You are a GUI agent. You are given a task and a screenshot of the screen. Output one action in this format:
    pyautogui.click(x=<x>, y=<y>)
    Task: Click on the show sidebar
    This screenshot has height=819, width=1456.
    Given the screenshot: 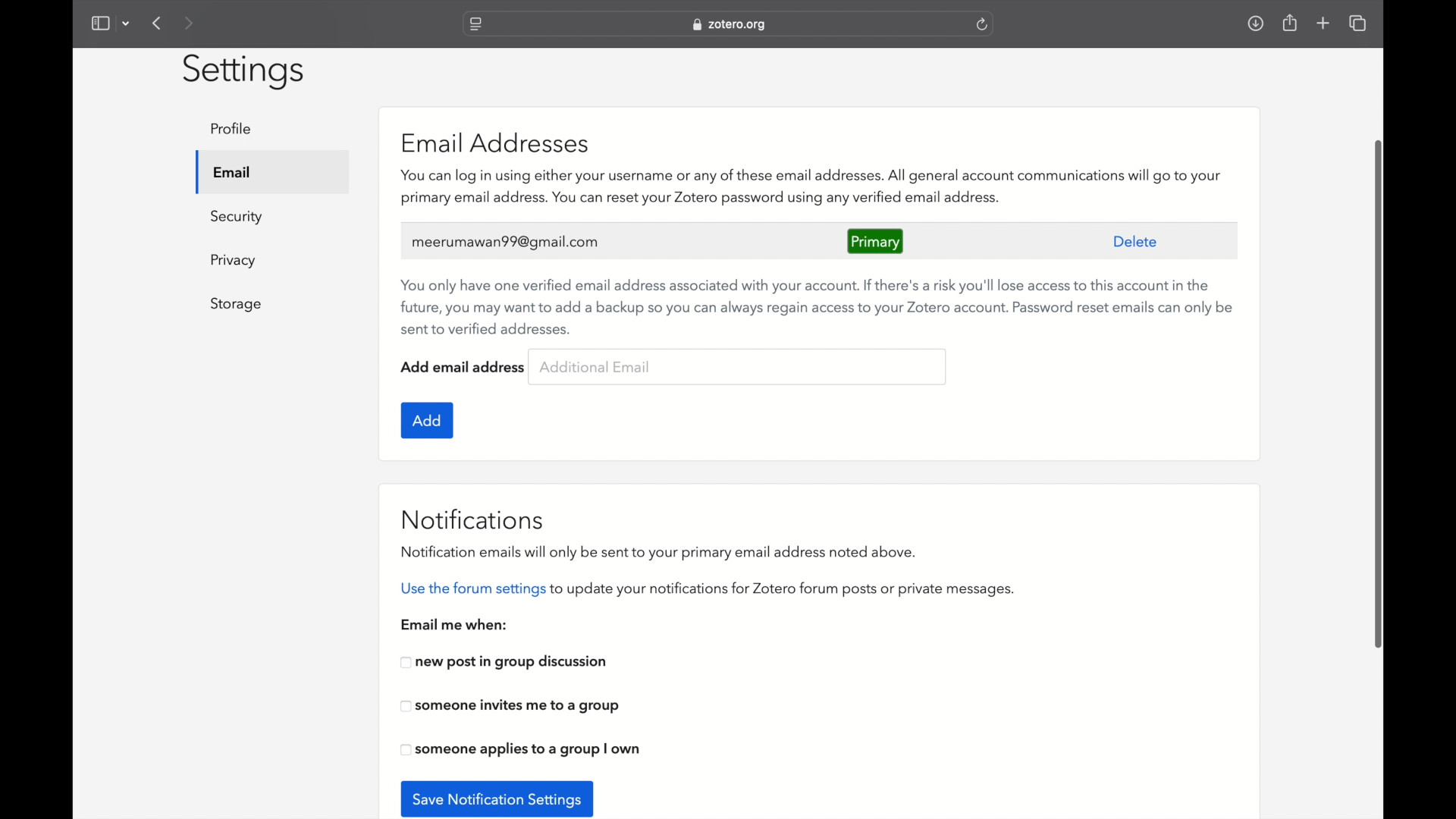 What is the action you would take?
    pyautogui.click(x=99, y=23)
    